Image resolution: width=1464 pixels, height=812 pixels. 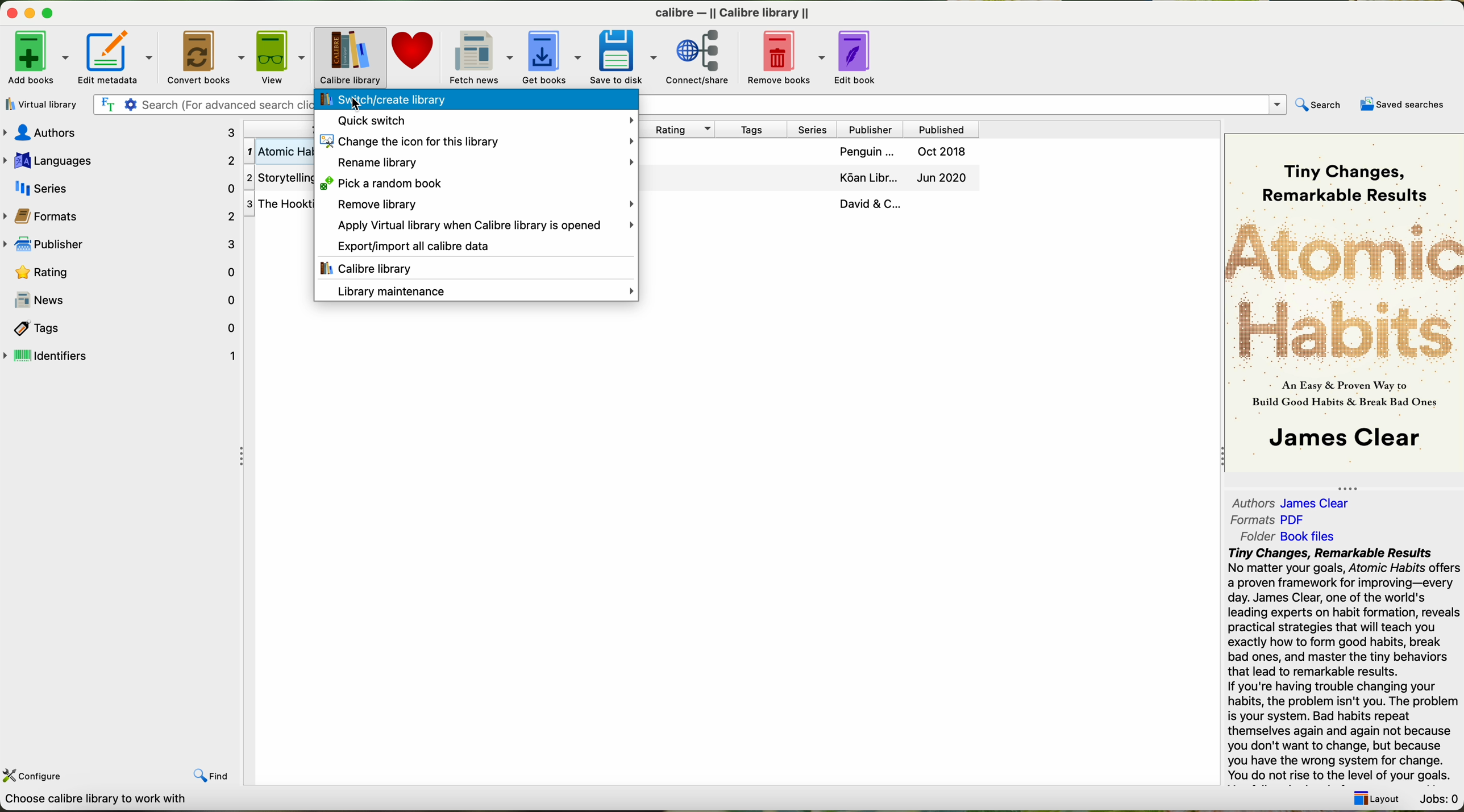 I want to click on add books, so click(x=36, y=60).